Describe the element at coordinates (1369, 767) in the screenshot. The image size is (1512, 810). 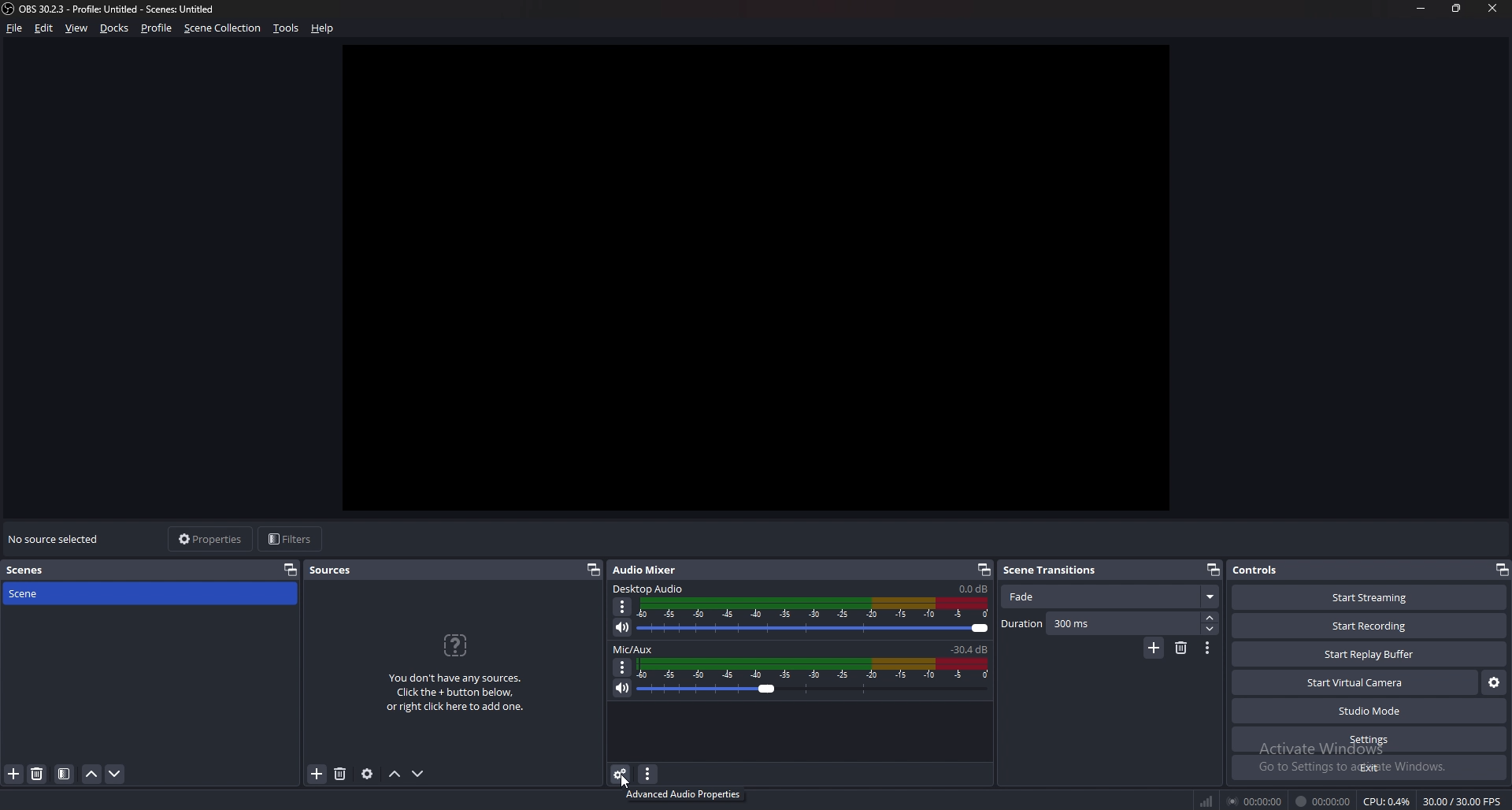
I see `exit` at that location.